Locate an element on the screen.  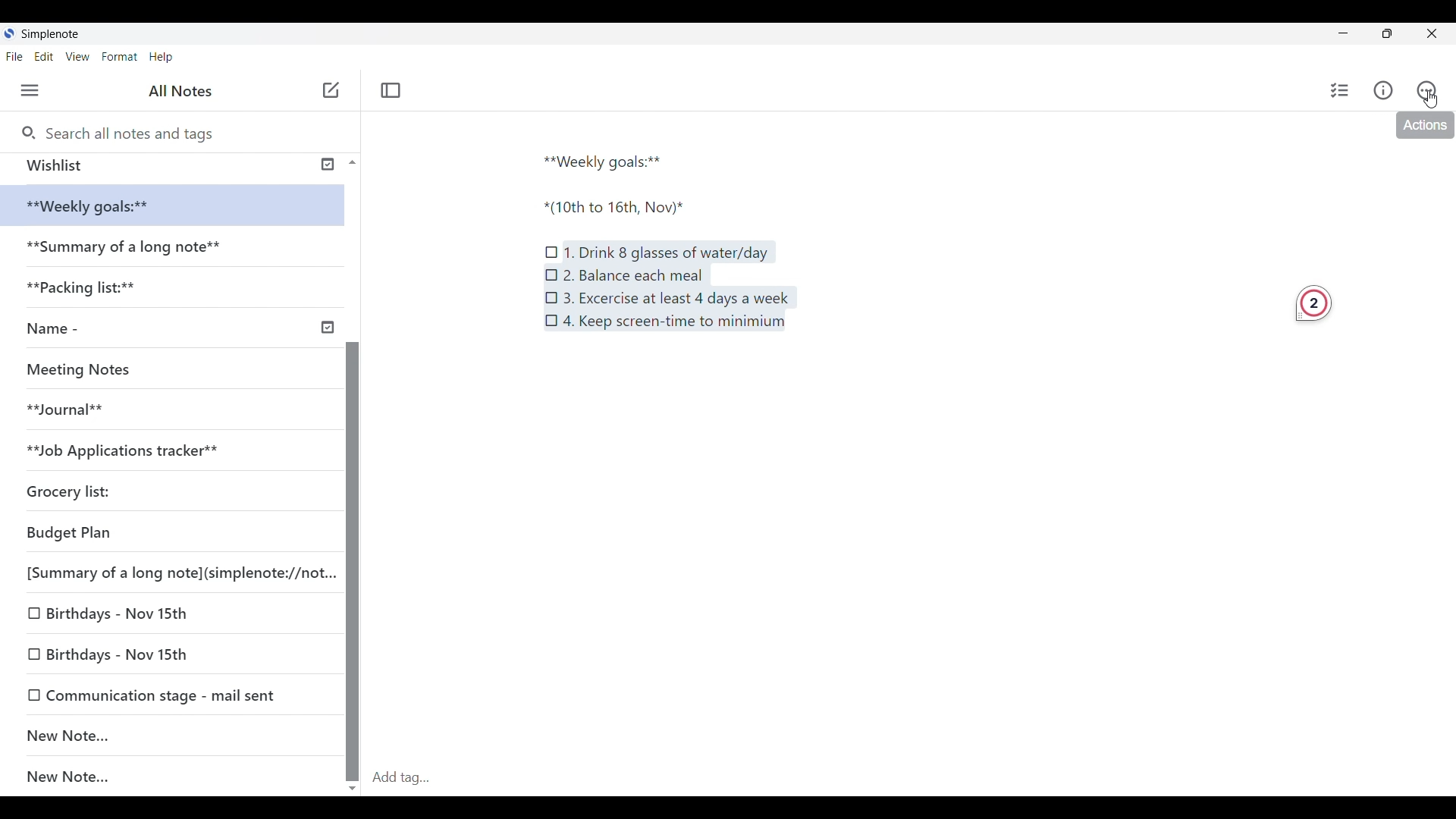
**Packaging list:** is located at coordinates (94, 292).